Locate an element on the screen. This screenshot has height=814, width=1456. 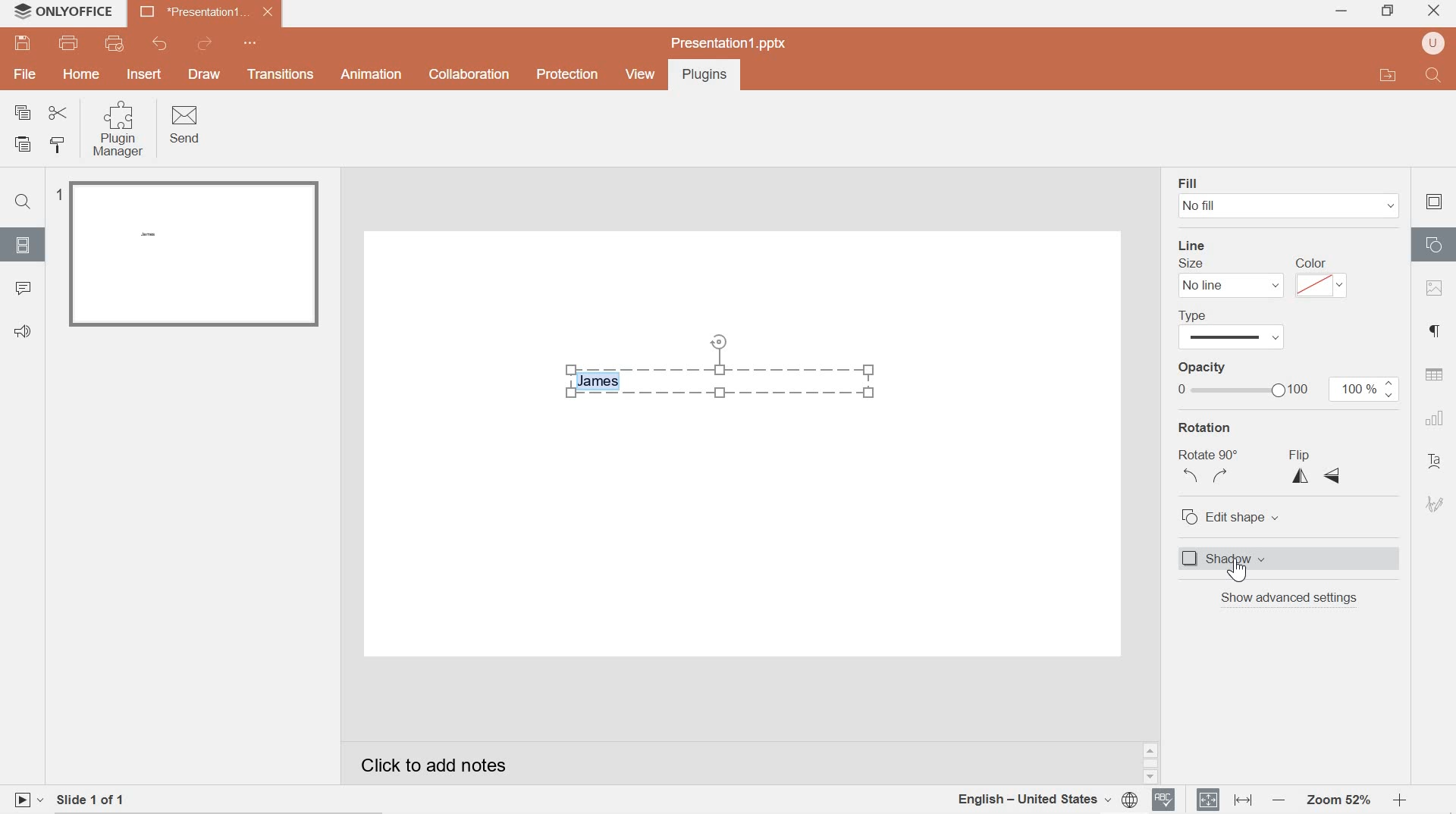
system logo is located at coordinates (21, 11).